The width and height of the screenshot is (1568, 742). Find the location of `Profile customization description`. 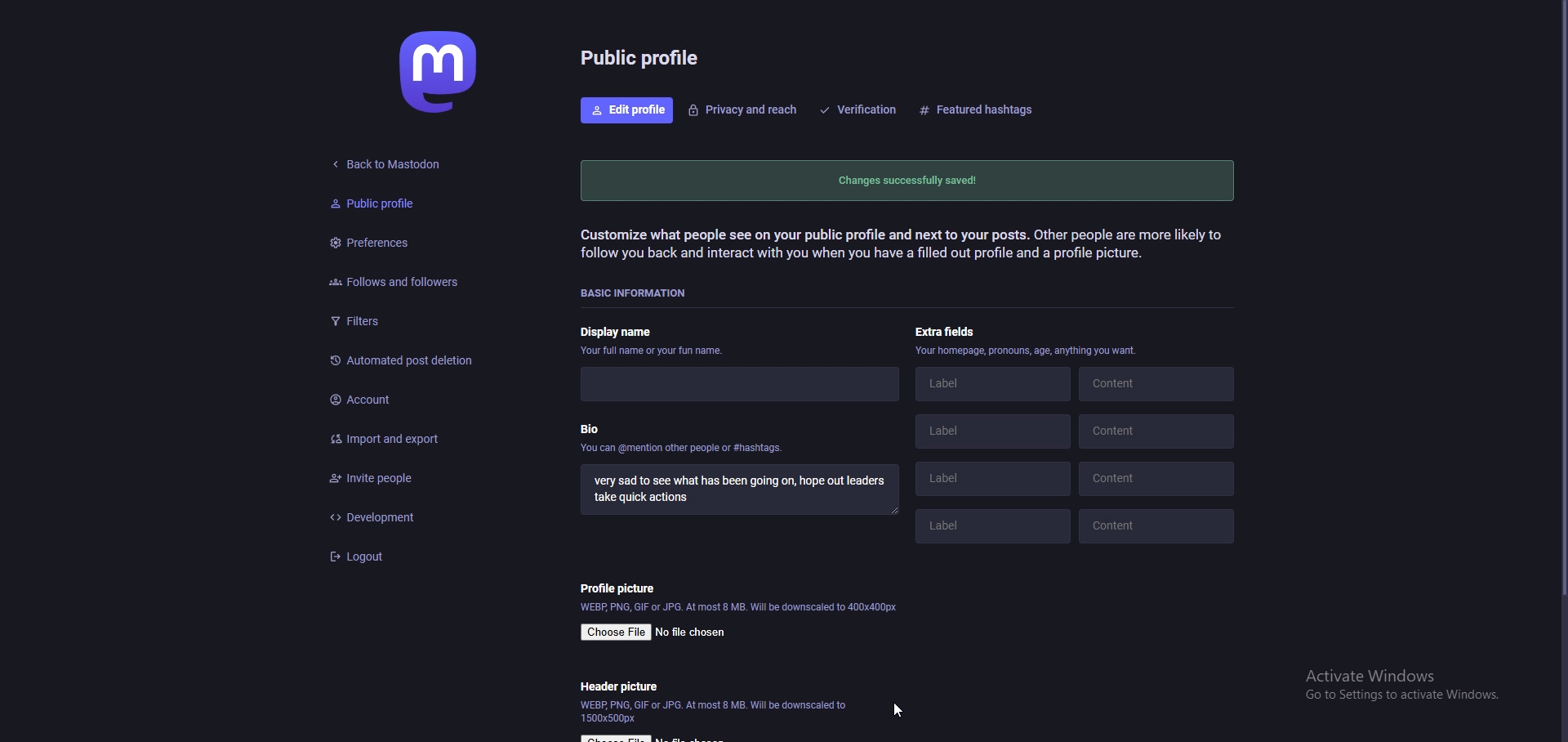

Profile customization description is located at coordinates (1117, 351).